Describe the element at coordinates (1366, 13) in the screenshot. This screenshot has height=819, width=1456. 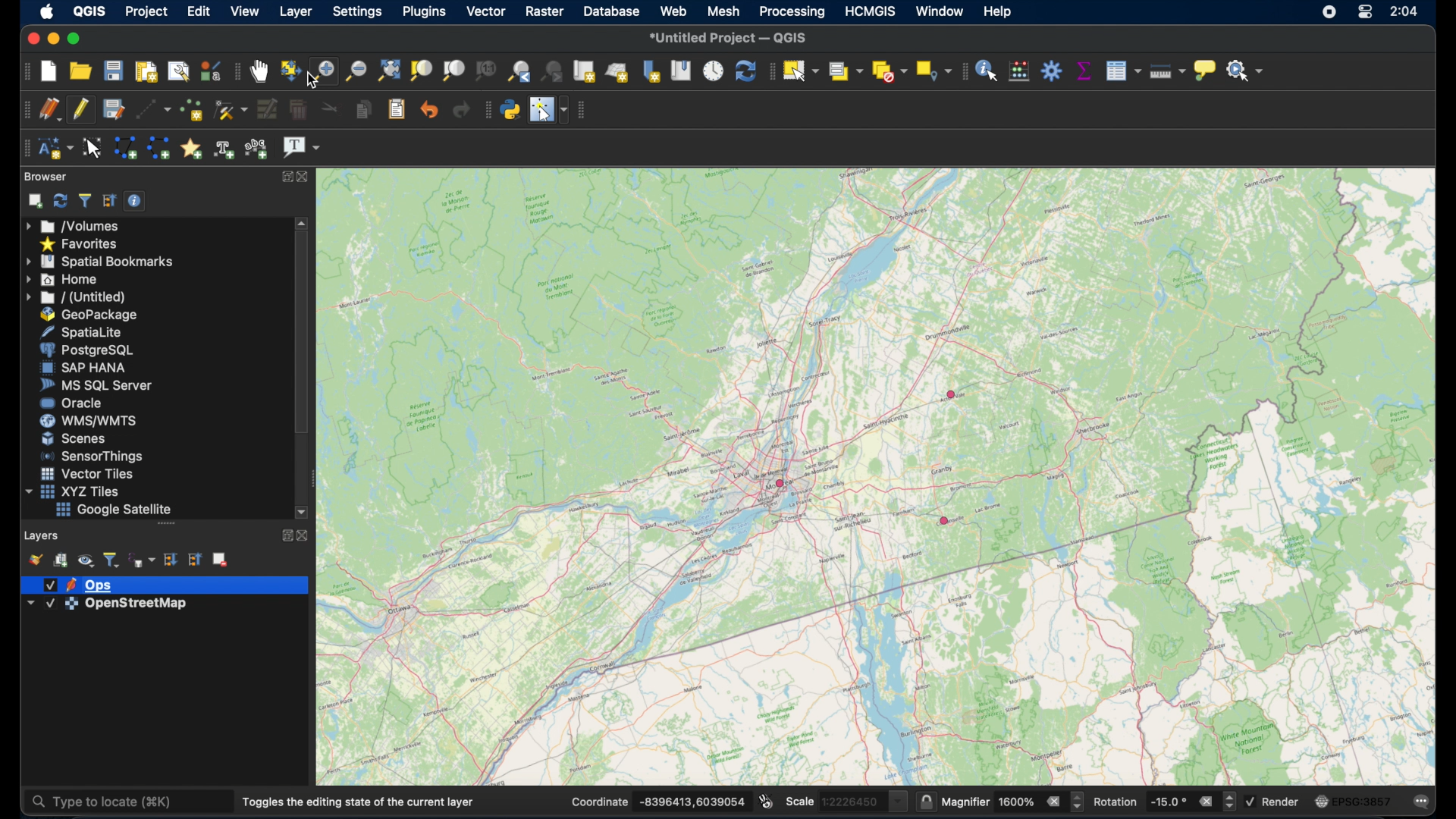
I see `control center` at that location.